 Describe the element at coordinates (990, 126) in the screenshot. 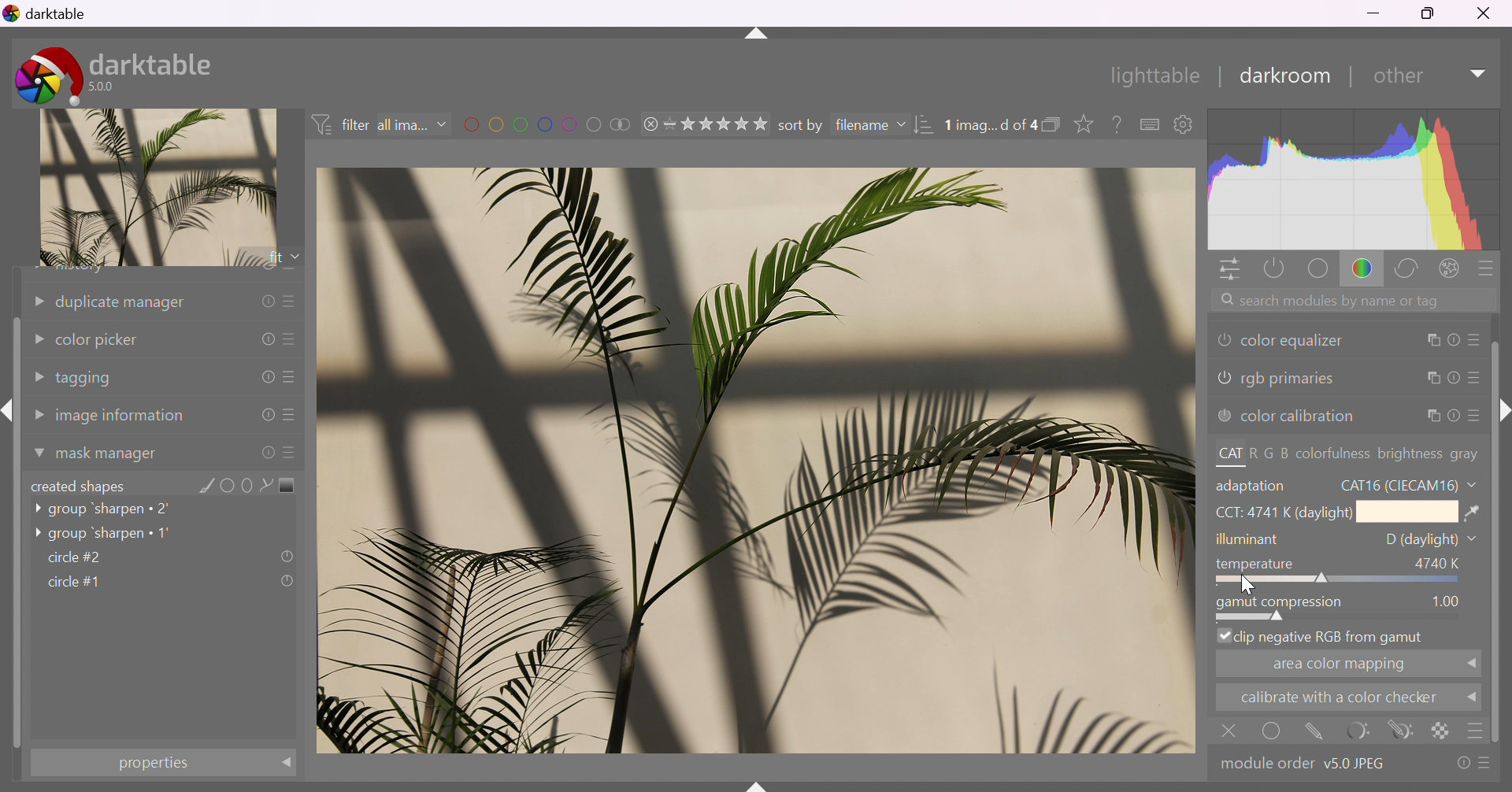

I see `1 image selected of 4` at that location.